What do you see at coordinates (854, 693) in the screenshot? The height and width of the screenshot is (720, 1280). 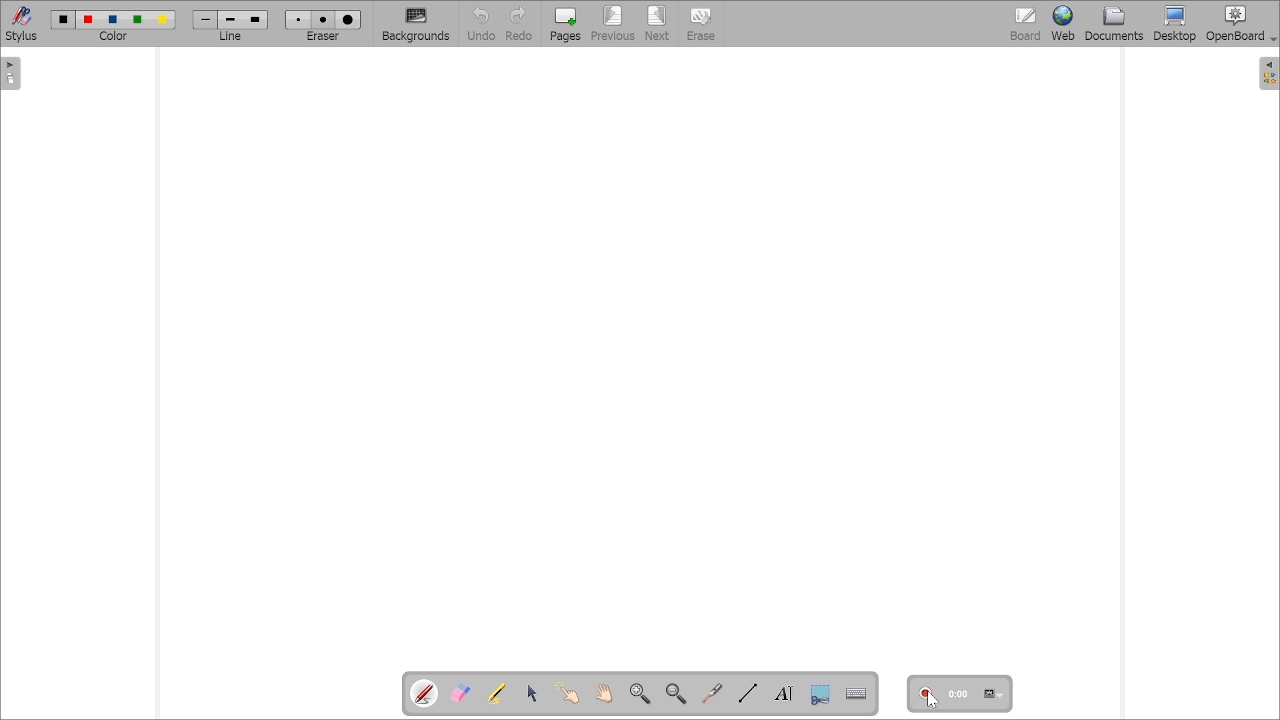 I see `Display virtual keyboard` at bounding box center [854, 693].